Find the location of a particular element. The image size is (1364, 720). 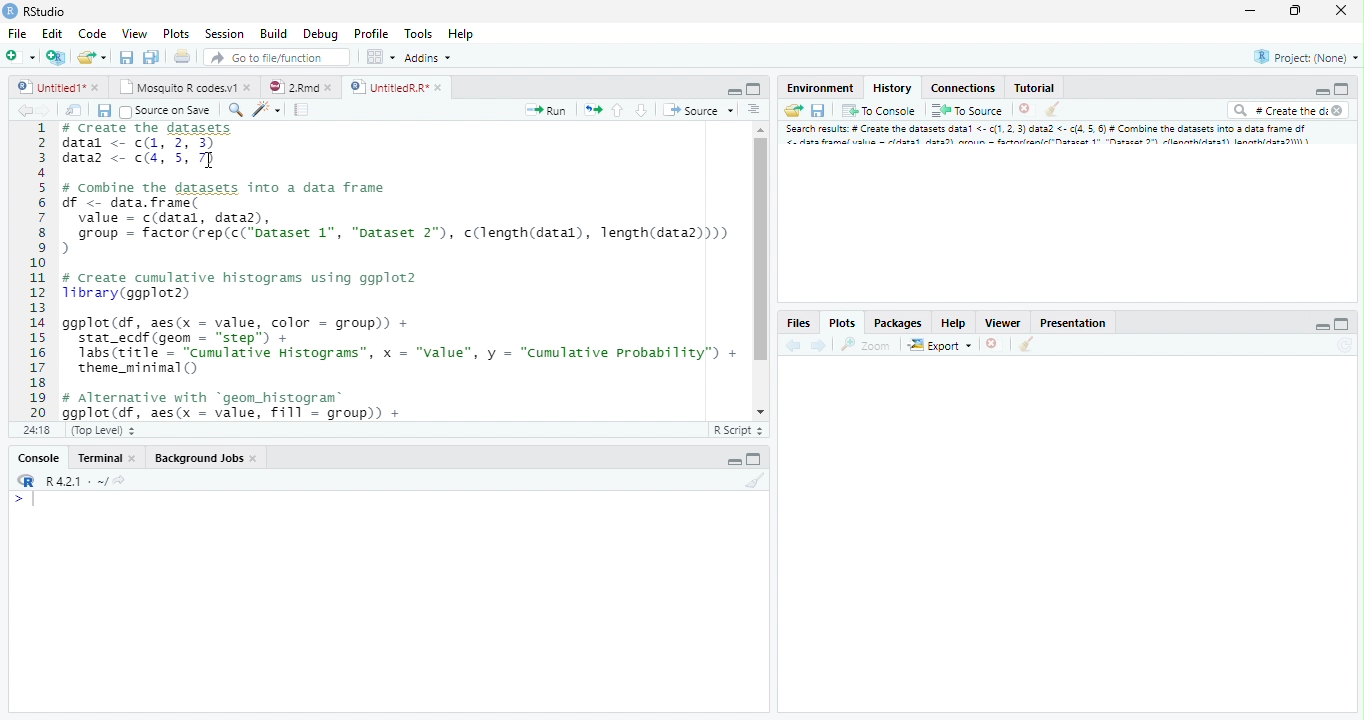

Packages is located at coordinates (898, 321).